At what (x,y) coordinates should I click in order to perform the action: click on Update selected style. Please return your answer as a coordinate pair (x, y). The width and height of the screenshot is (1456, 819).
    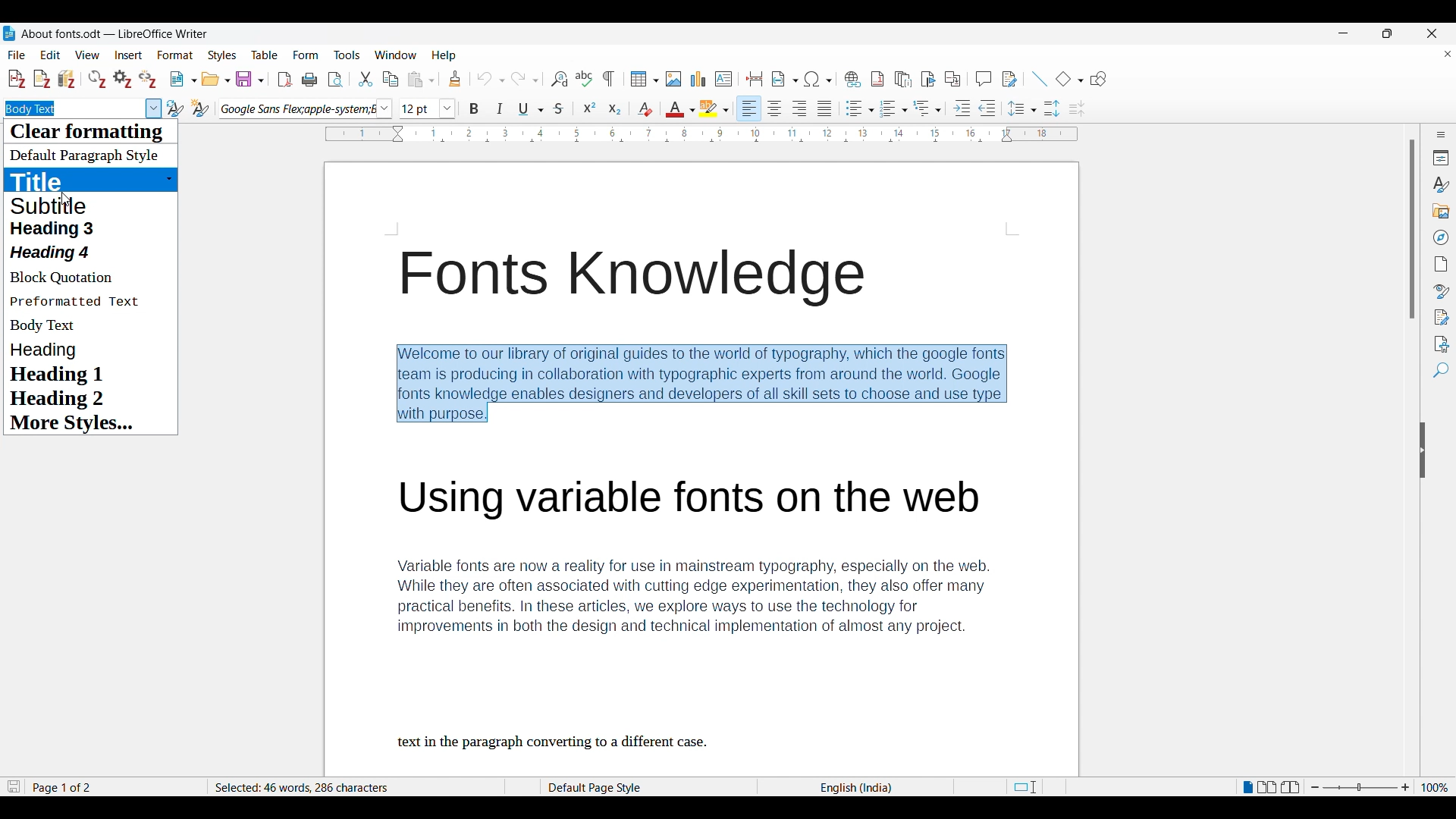
    Looking at the image, I should click on (175, 108).